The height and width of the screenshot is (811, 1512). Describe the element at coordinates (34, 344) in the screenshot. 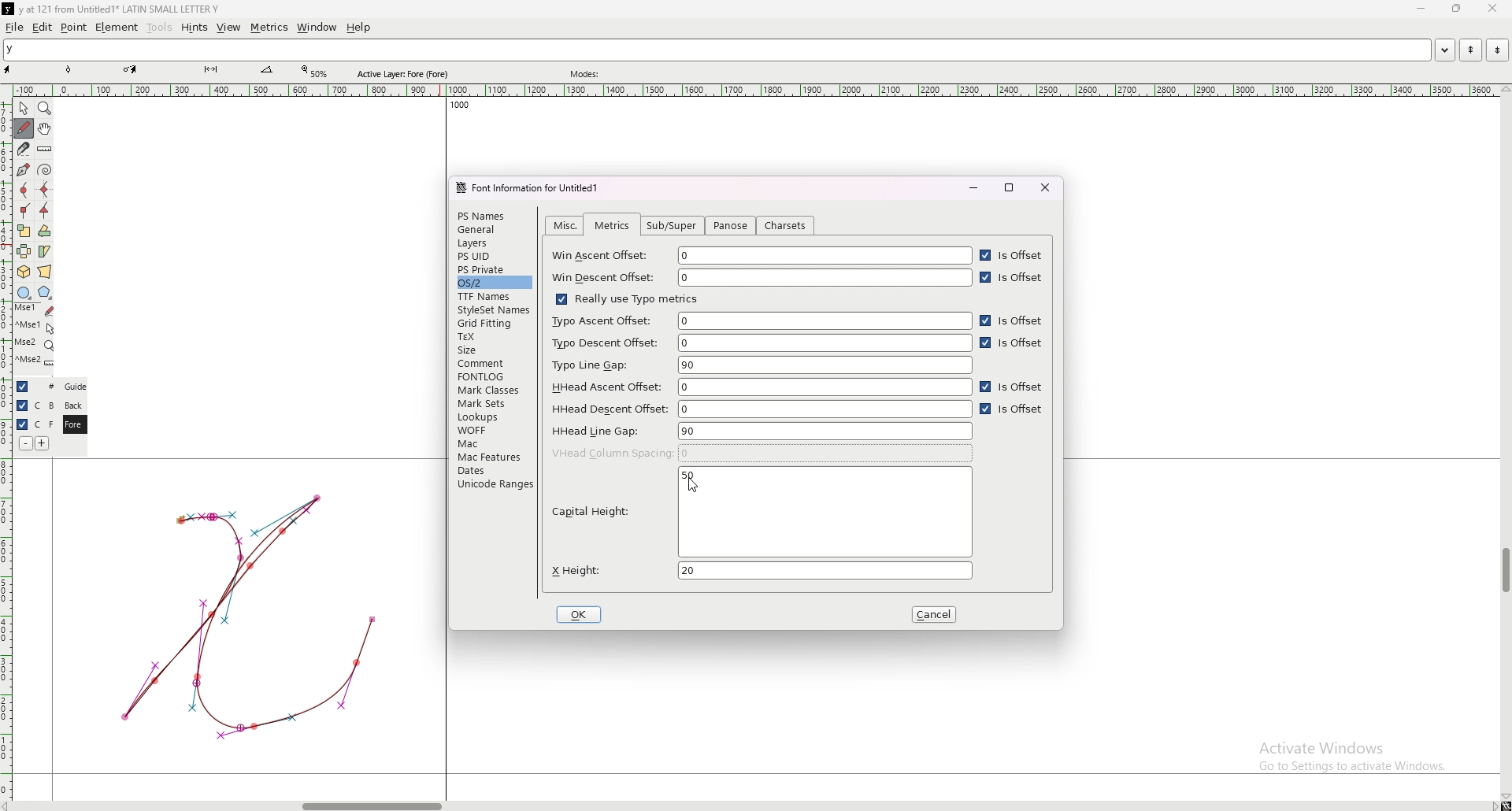

I see `mse 2` at that location.